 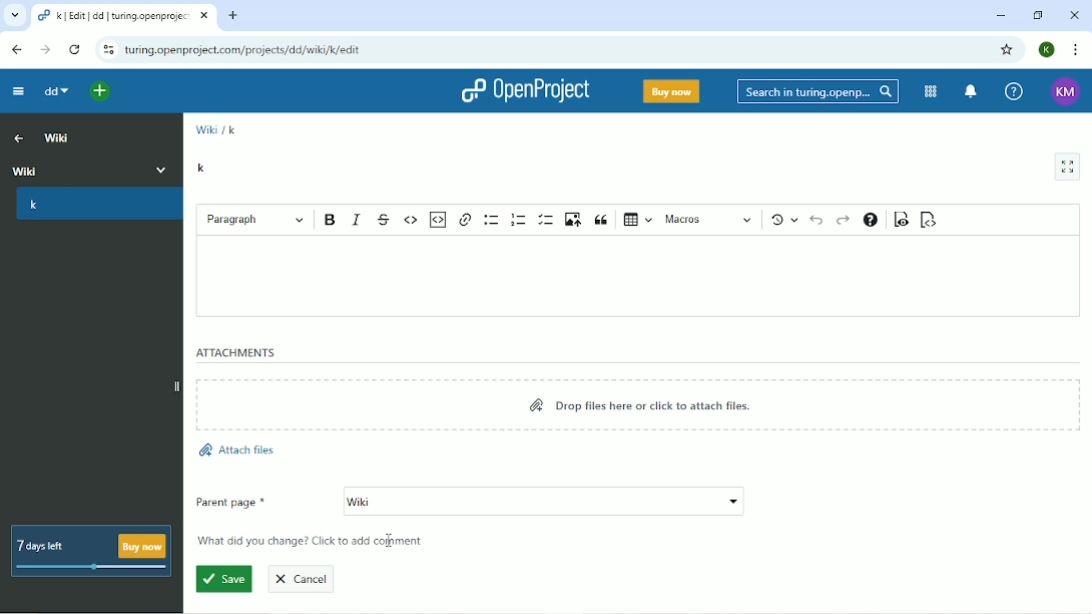 What do you see at coordinates (783, 220) in the screenshot?
I see `Show local modifications` at bounding box center [783, 220].